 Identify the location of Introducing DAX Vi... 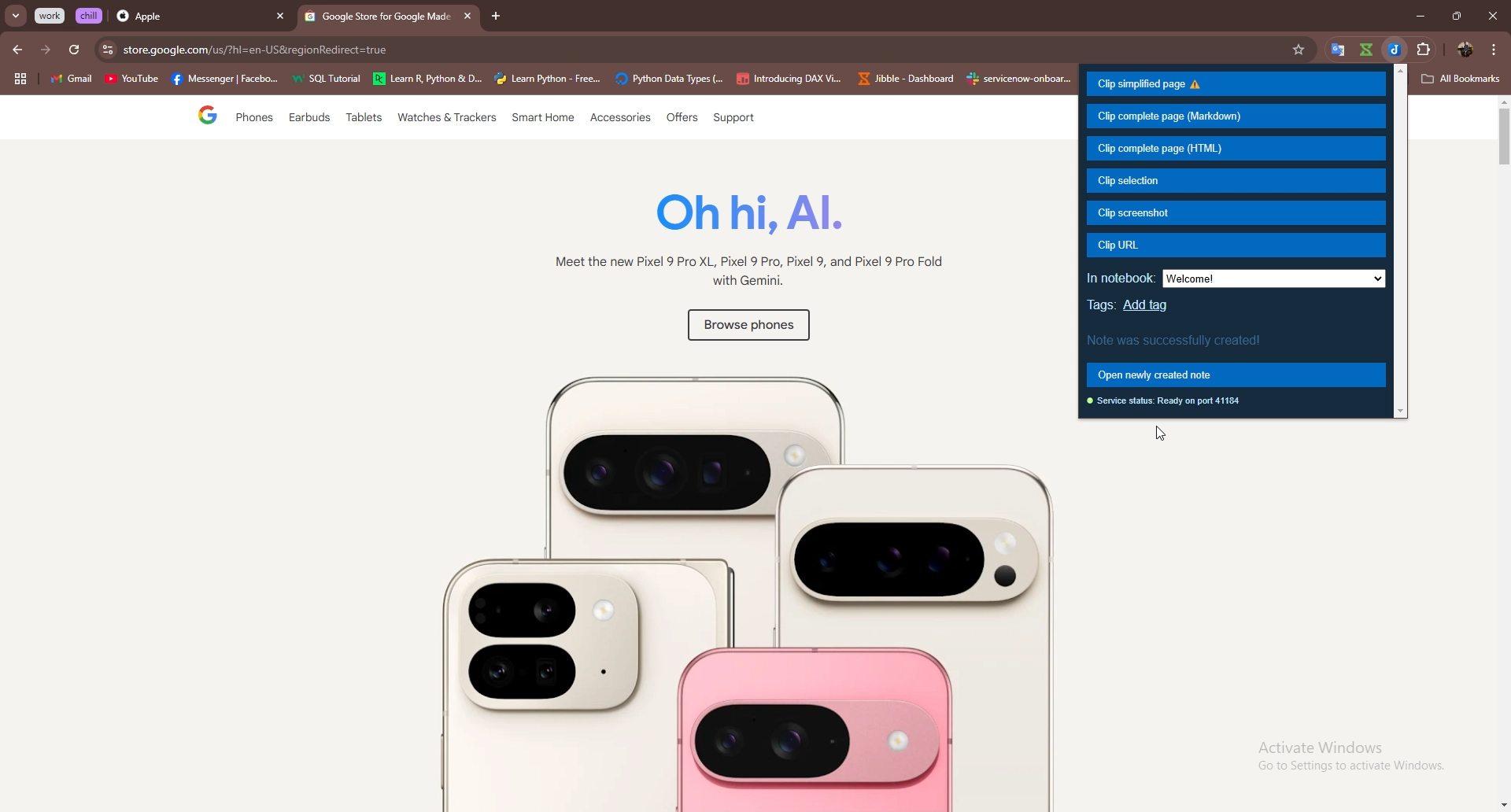
(789, 79).